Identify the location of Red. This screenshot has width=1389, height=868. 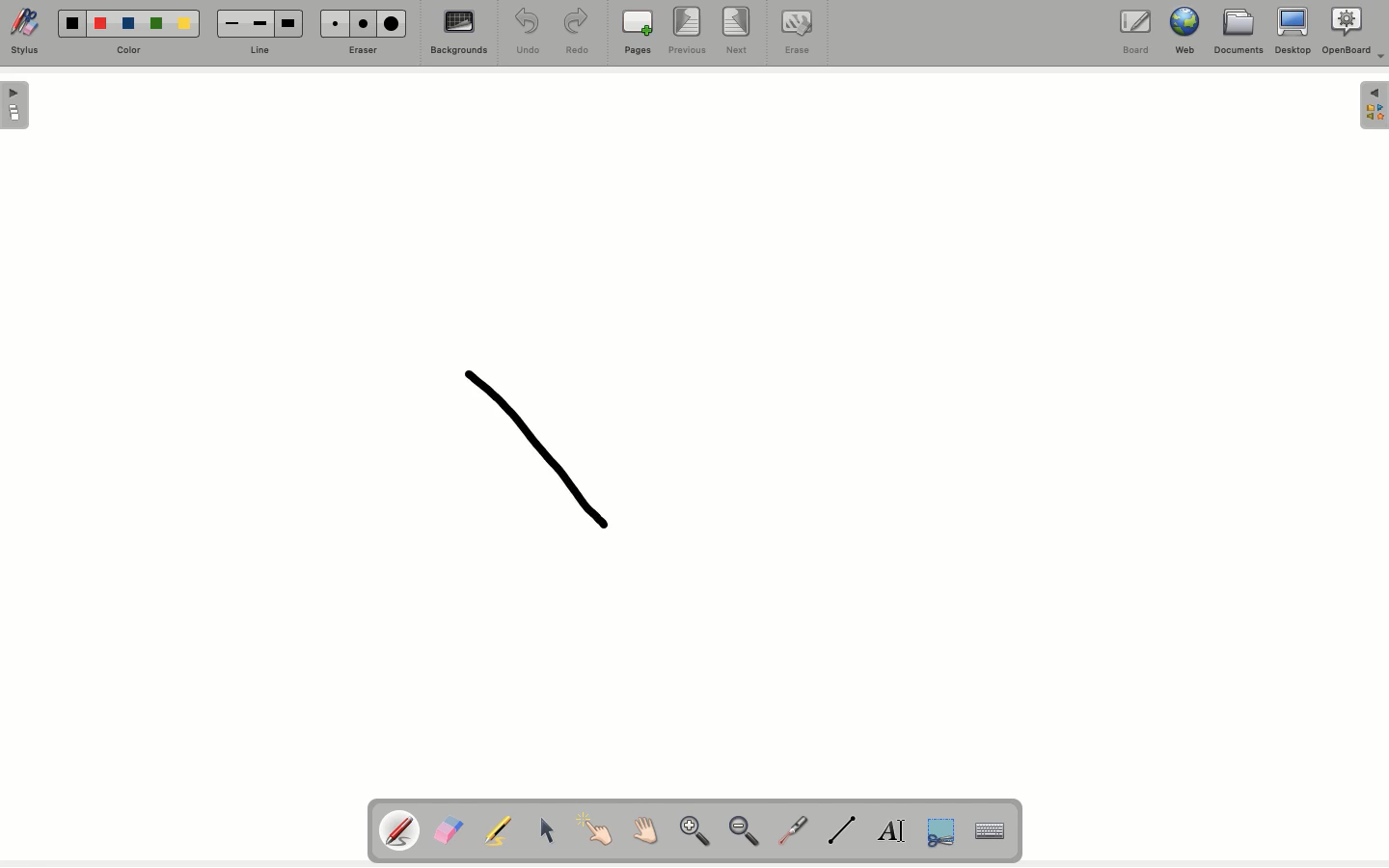
(101, 26).